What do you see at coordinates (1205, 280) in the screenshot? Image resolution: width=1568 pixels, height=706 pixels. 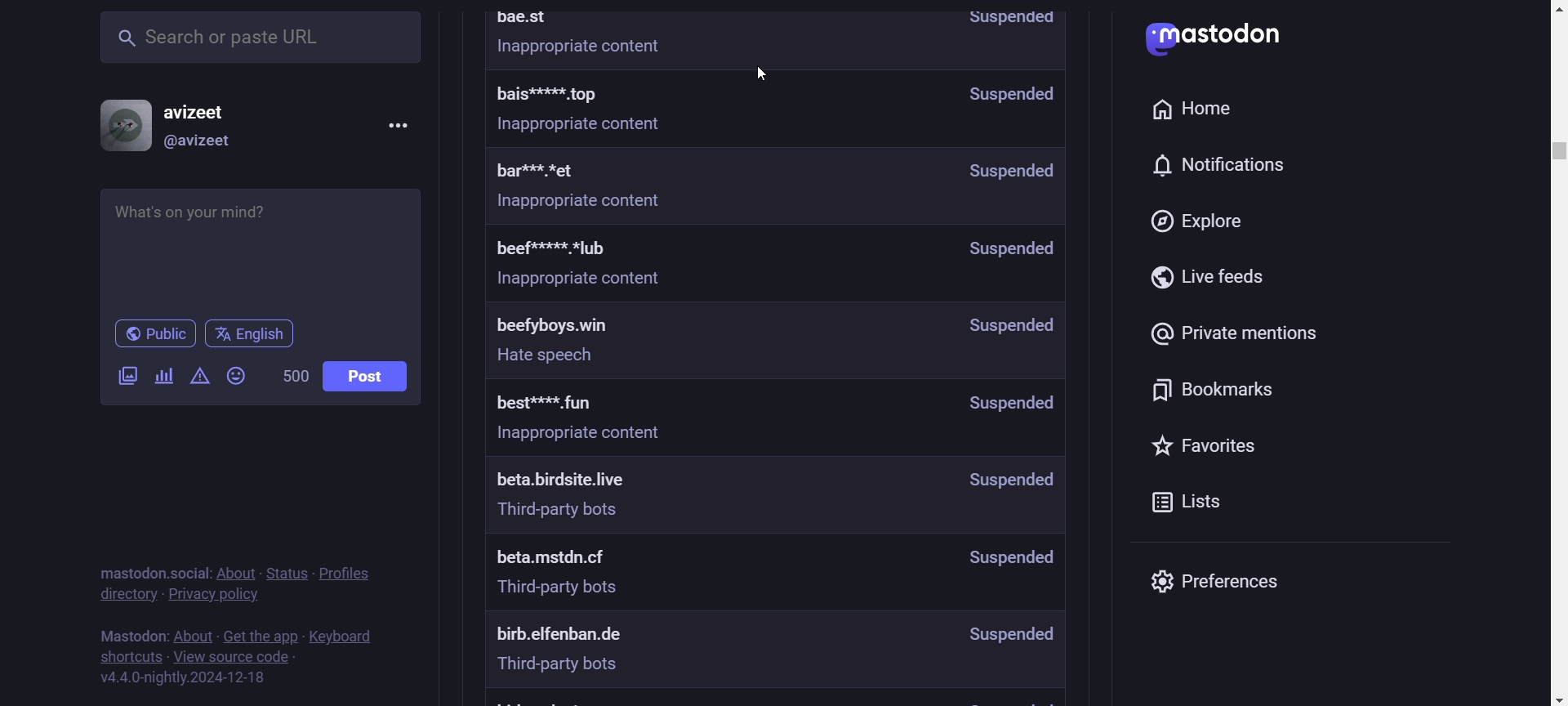 I see `live feeds` at bounding box center [1205, 280].